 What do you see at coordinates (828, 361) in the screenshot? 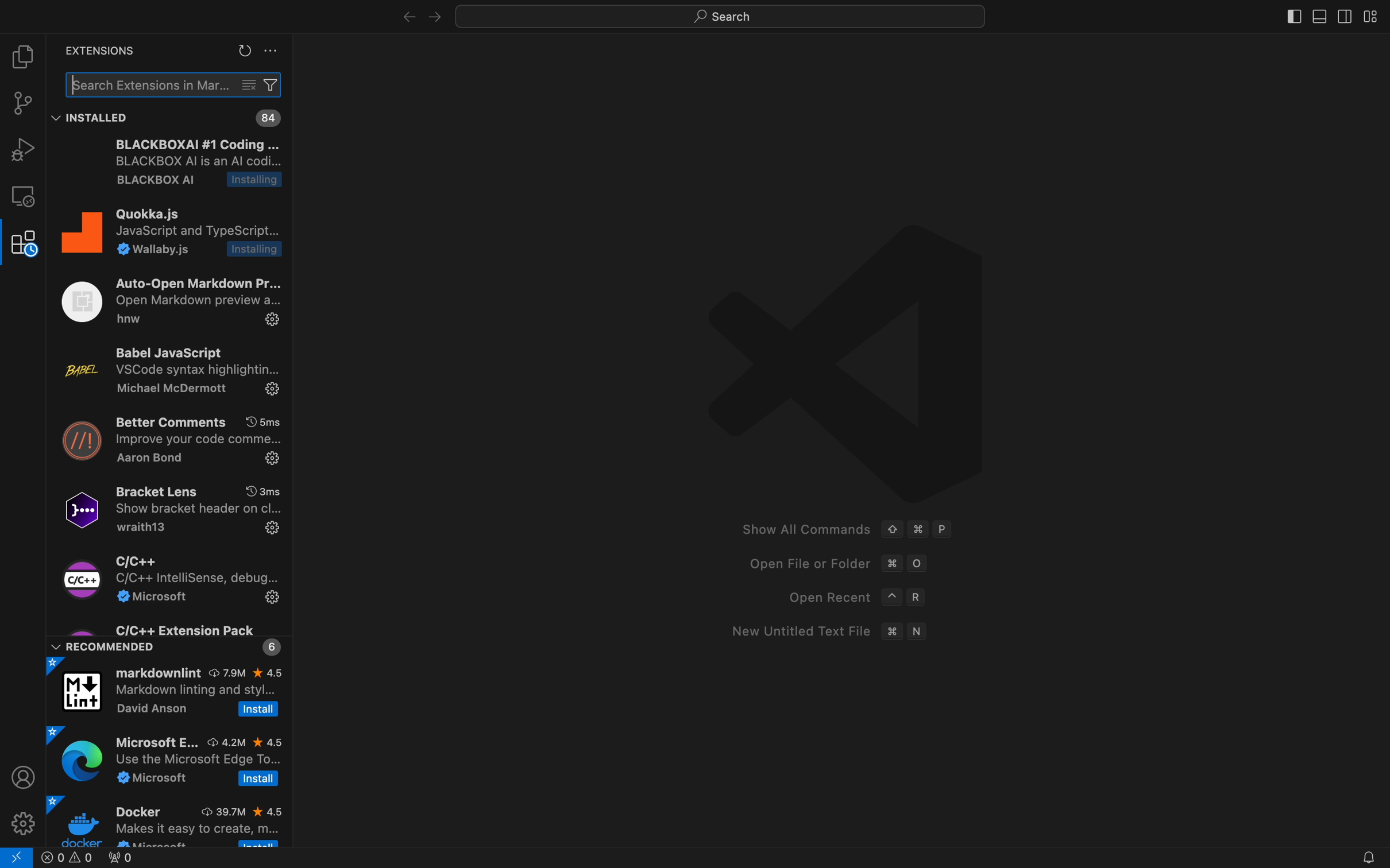
I see `VSCode logo` at bounding box center [828, 361].